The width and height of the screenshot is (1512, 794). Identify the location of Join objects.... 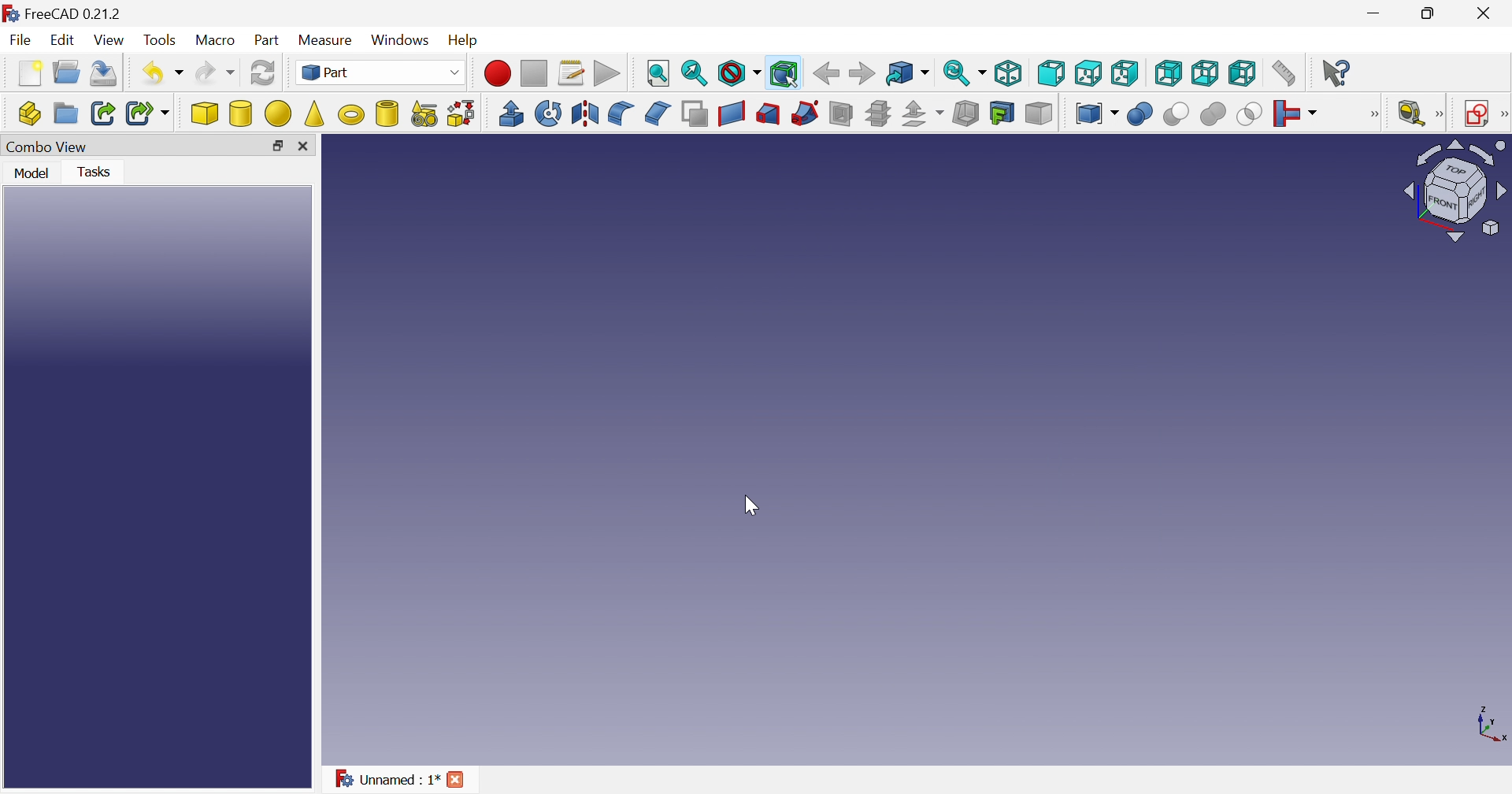
(1295, 114).